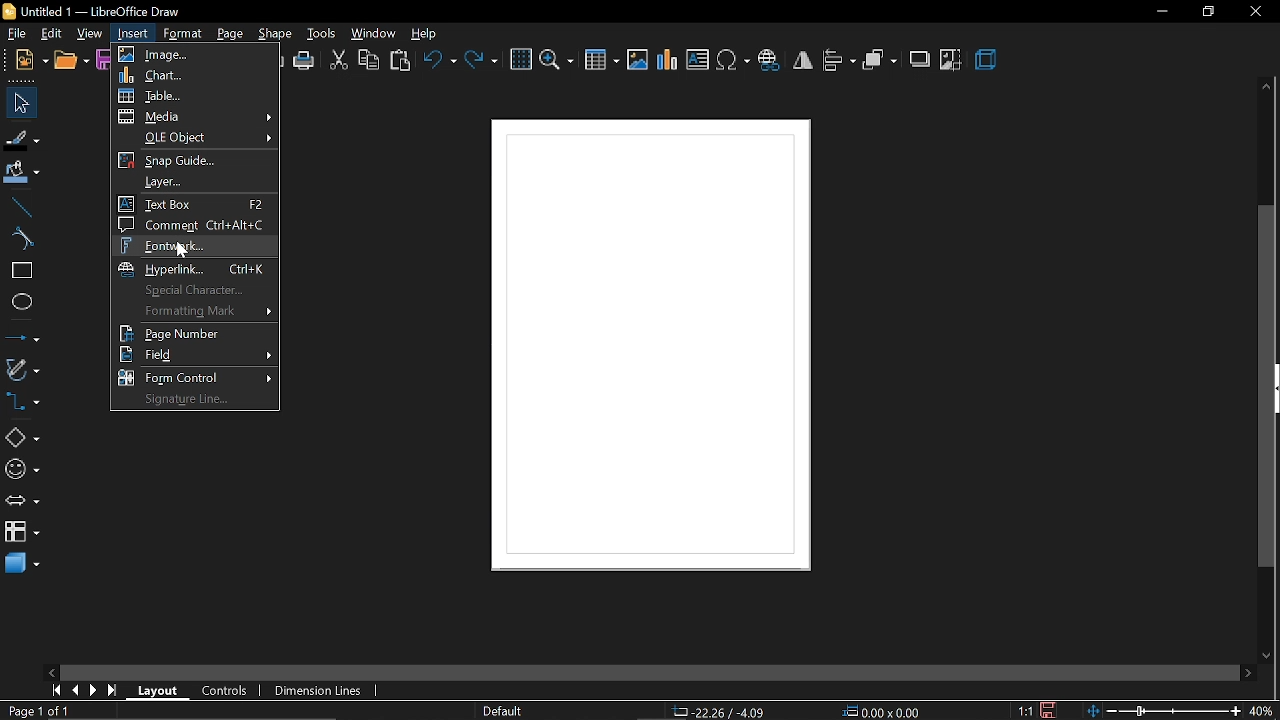 This screenshot has height=720, width=1280. What do you see at coordinates (1261, 710) in the screenshot?
I see `40%` at bounding box center [1261, 710].